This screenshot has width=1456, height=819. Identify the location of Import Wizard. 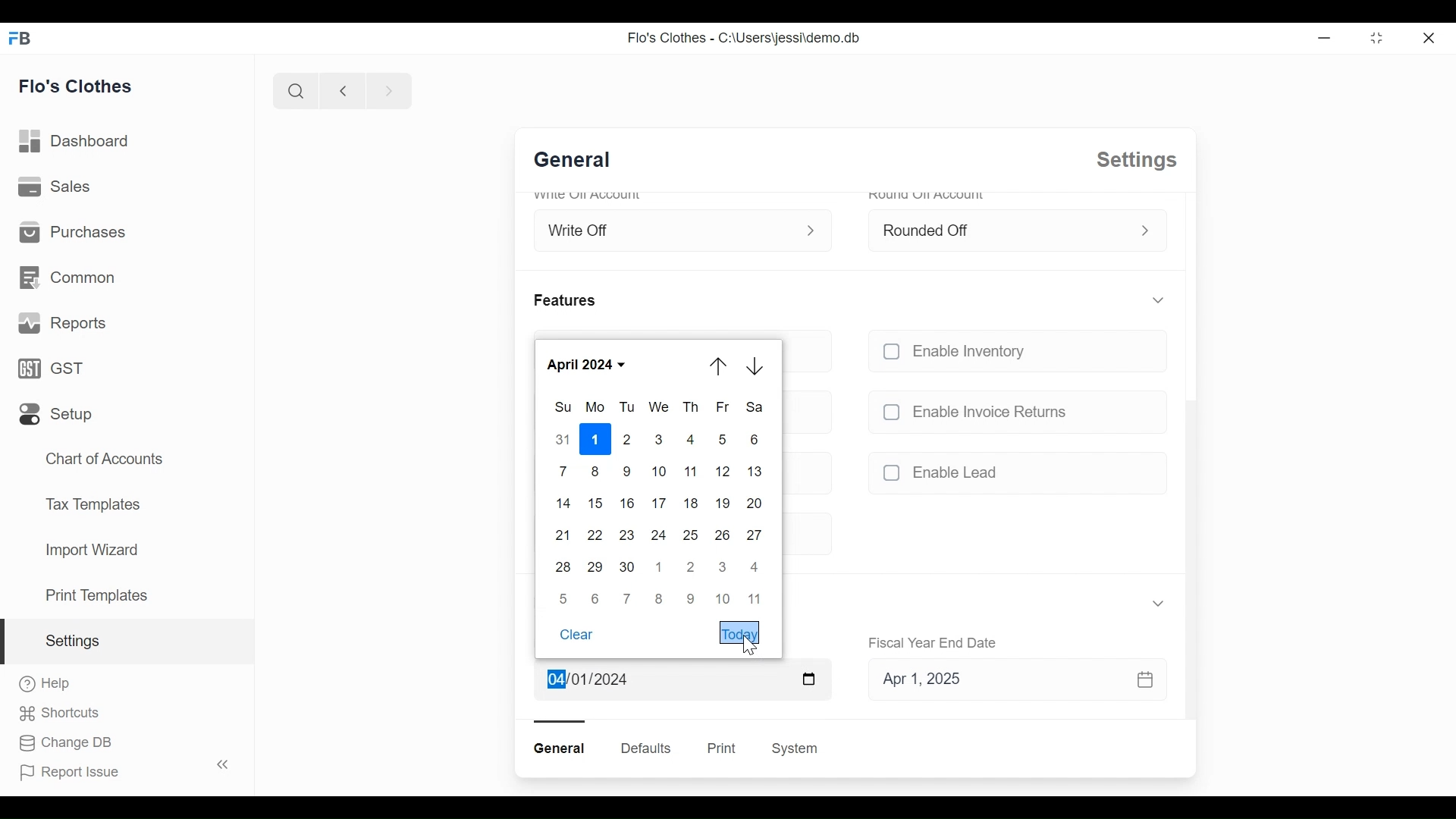
(91, 551).